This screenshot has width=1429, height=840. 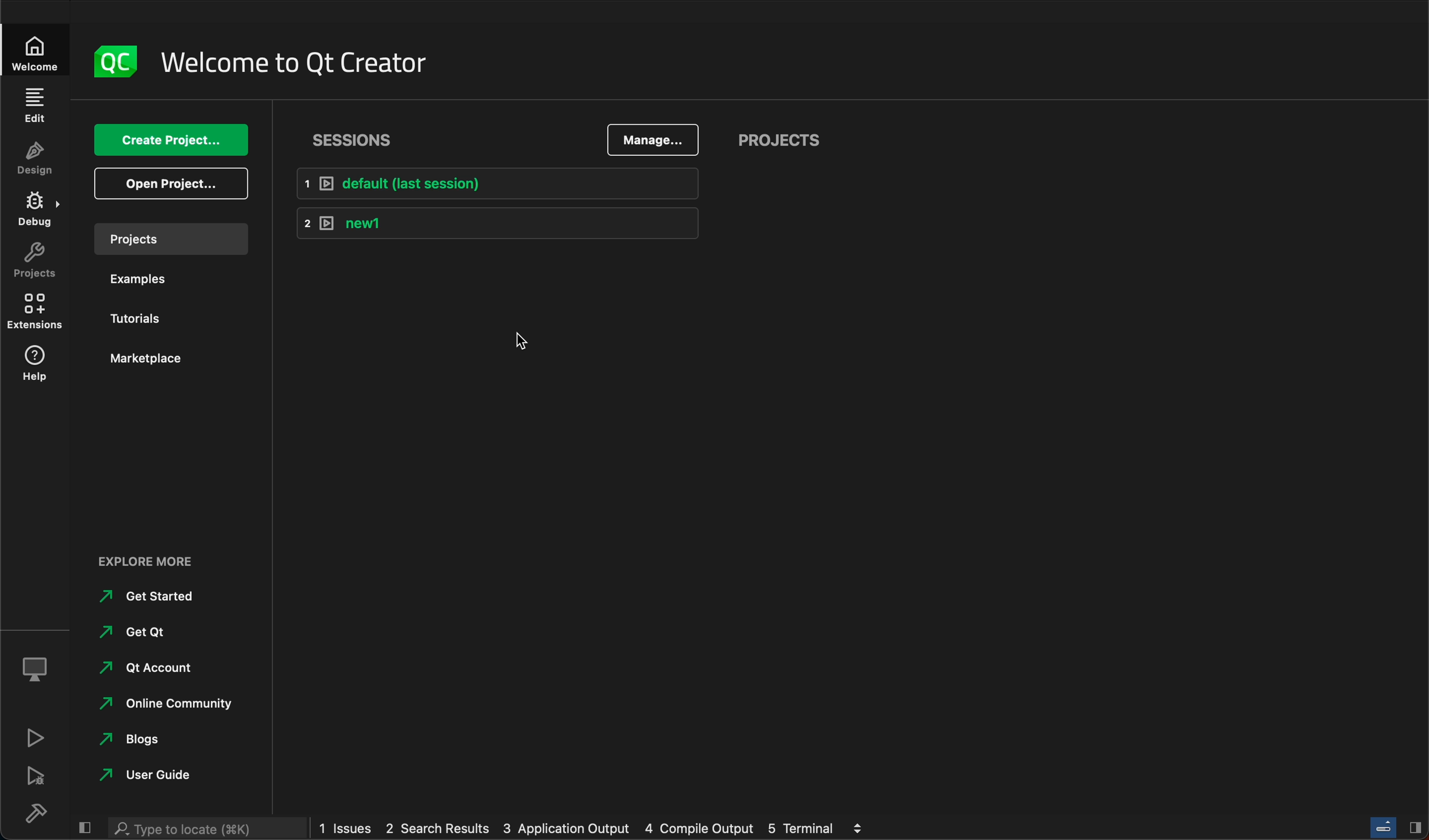 What do you see at coordinates (785, 135) in the screenshot?
I see `projects` at bounding box center [785, 135].